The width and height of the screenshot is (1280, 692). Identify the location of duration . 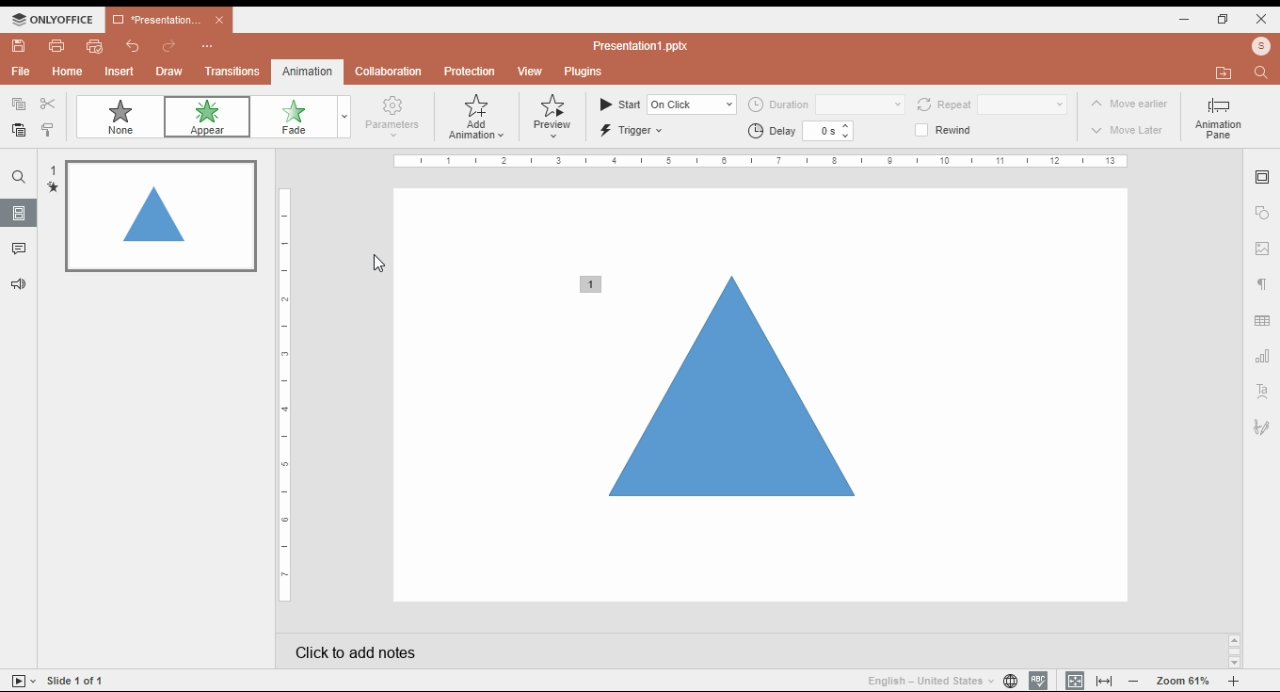
(860, 103).